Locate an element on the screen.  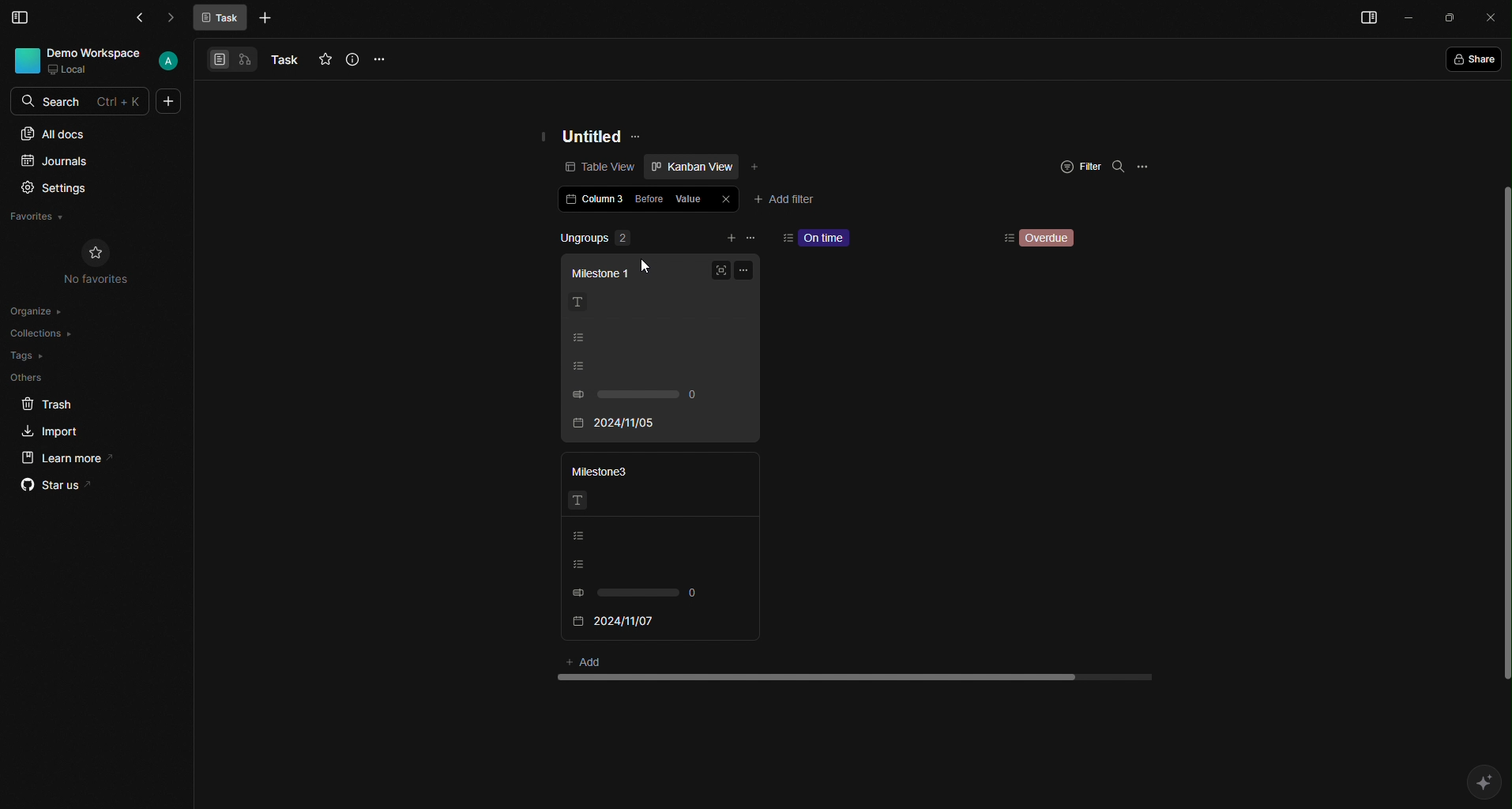
Search is located at coordinates (81, 100).